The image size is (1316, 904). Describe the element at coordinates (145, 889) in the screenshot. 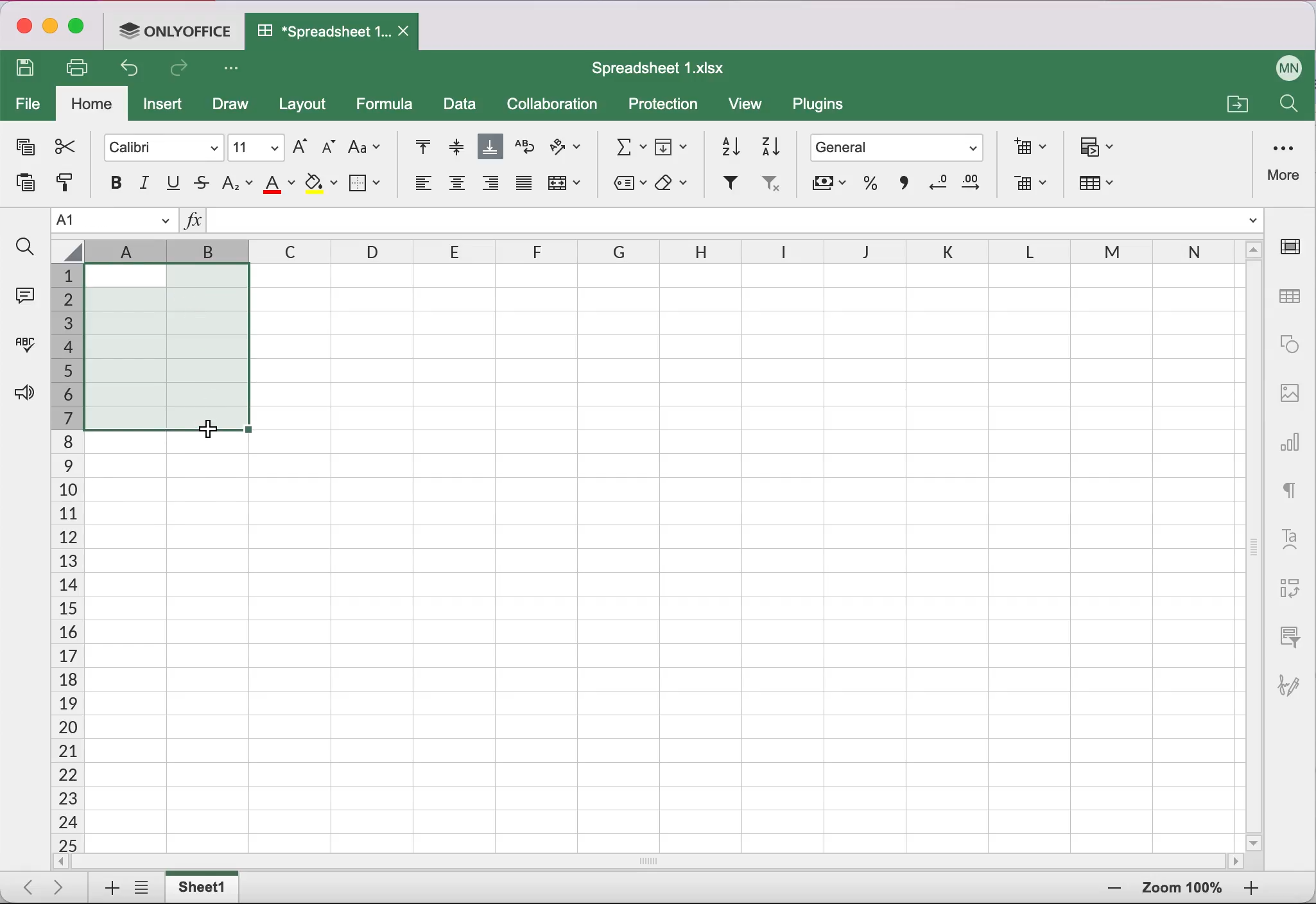

I see `list of sheets` at that location.